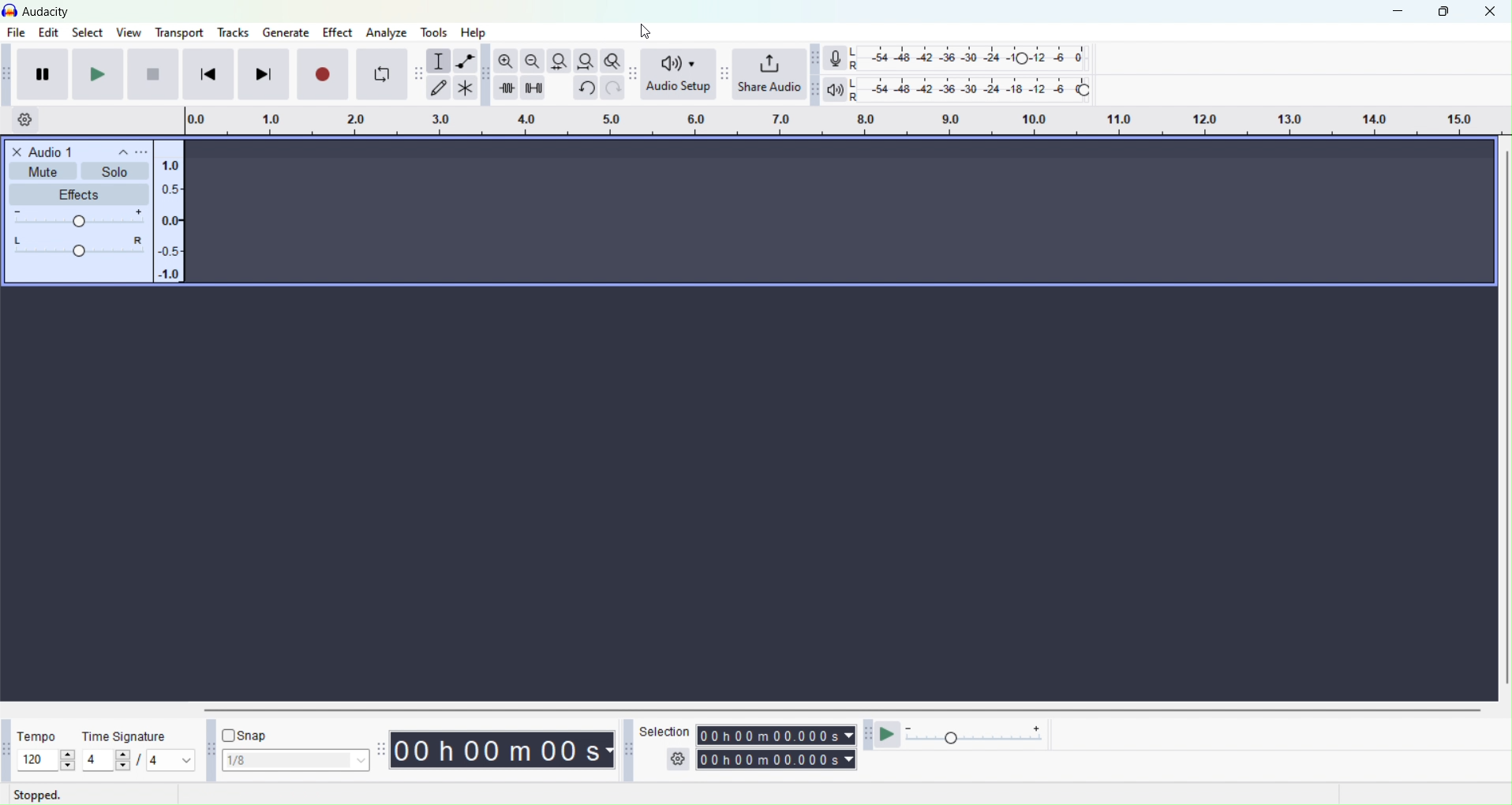 The width and height of the screenshot is (1512, 805). Describe the element at coordinates (666, 744) in the screenshot. I see `Selection` at that location.